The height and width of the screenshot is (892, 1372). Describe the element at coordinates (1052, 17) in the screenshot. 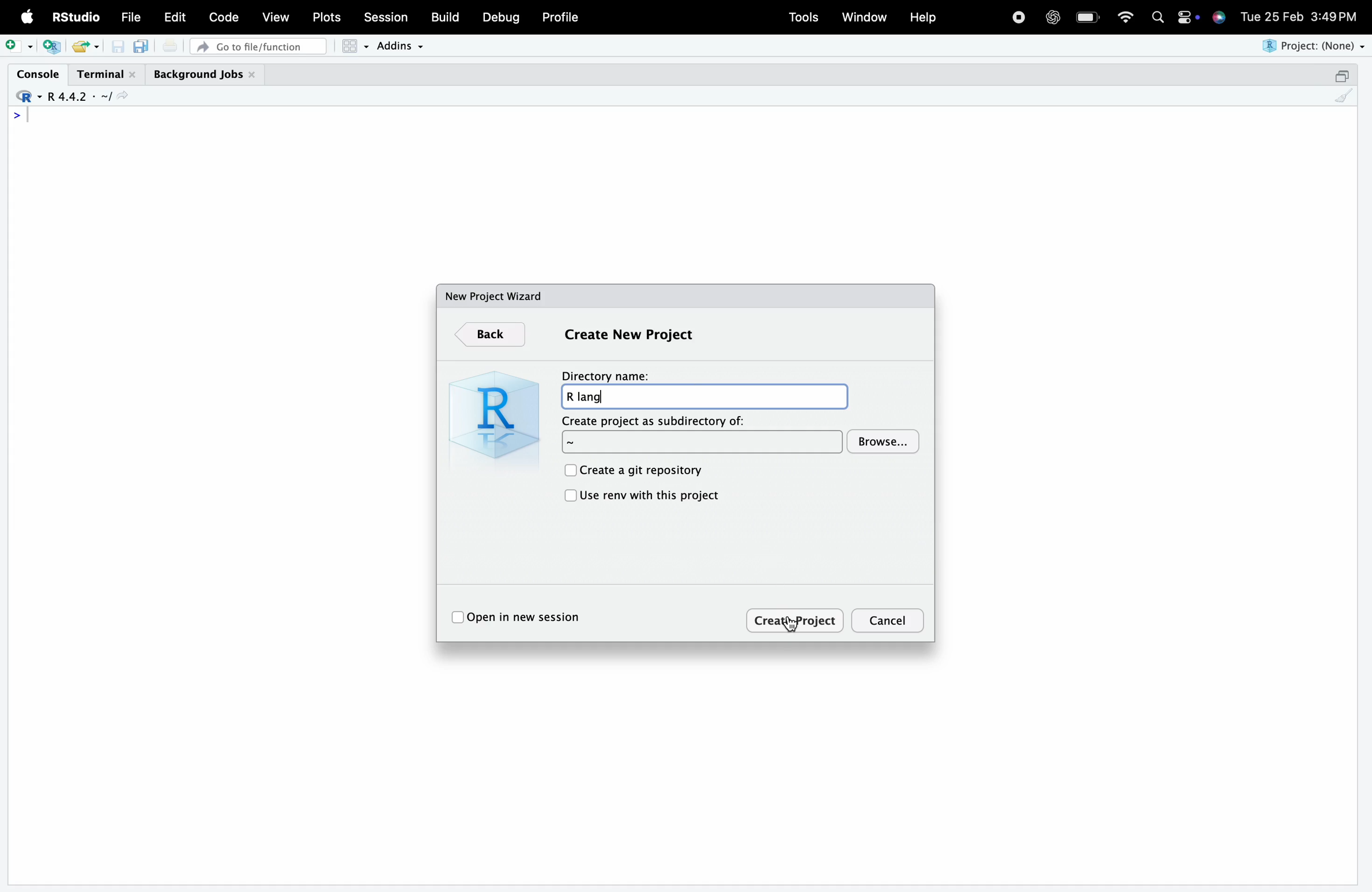

I see `open AI` at that location.